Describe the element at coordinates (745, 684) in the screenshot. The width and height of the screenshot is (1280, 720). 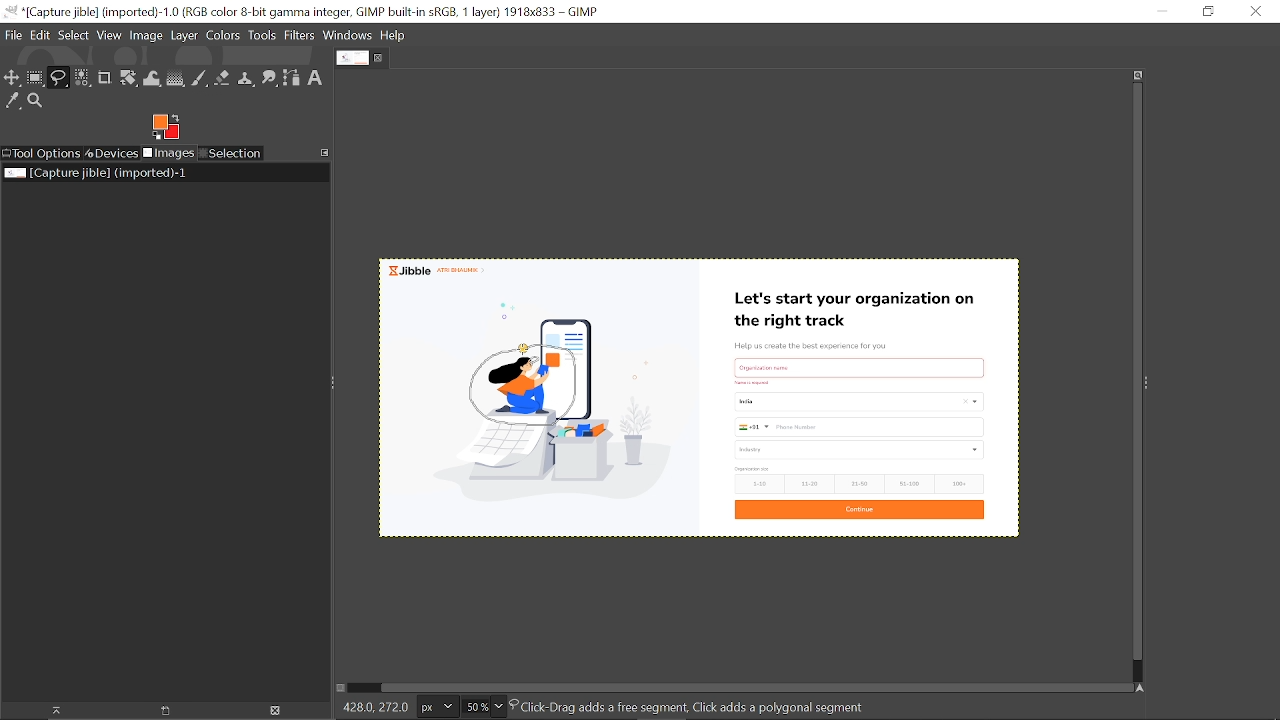
I see `Horizontal scrollbar` at that location.